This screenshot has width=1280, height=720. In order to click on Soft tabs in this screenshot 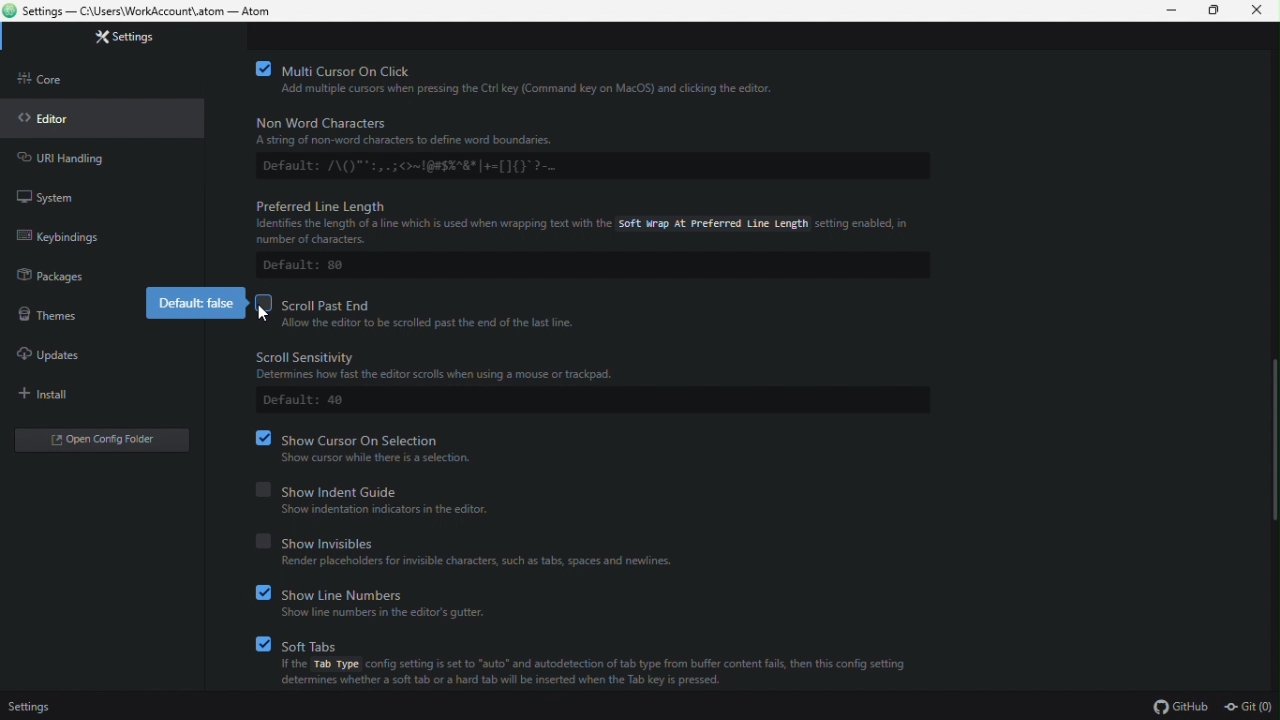, I will do `click(591, 642)`.